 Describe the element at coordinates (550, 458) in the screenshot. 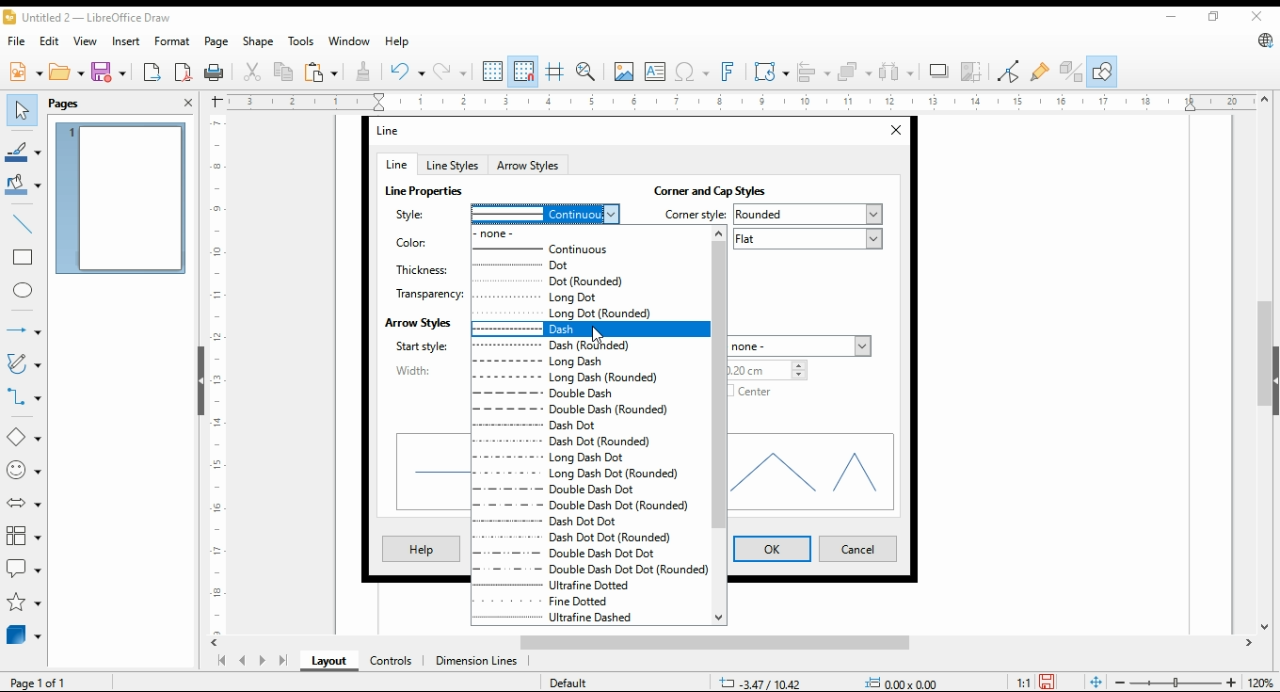

I see `long dash dot` at that location.